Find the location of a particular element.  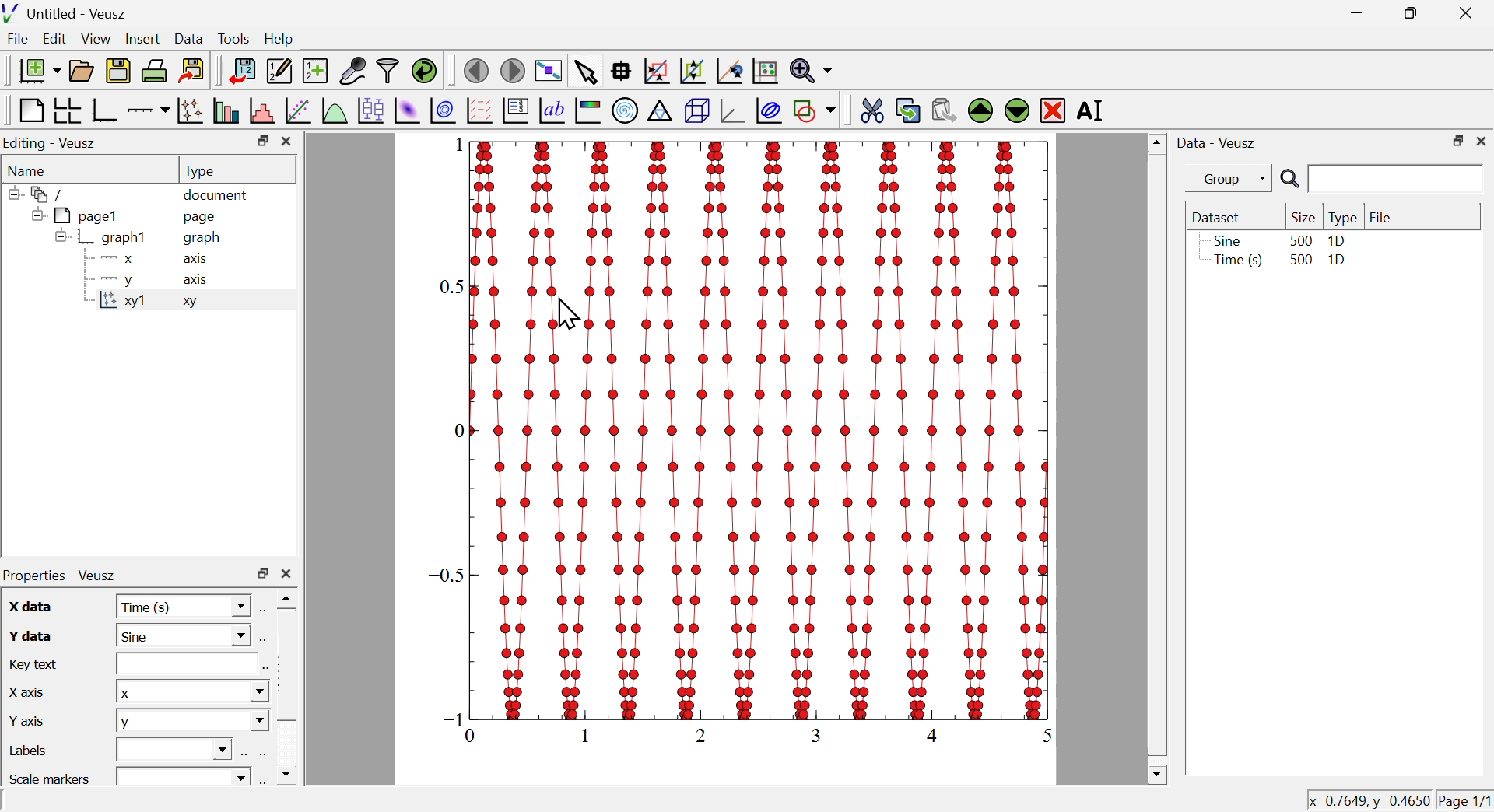

plot box plots is located at coordinates (370, 109).